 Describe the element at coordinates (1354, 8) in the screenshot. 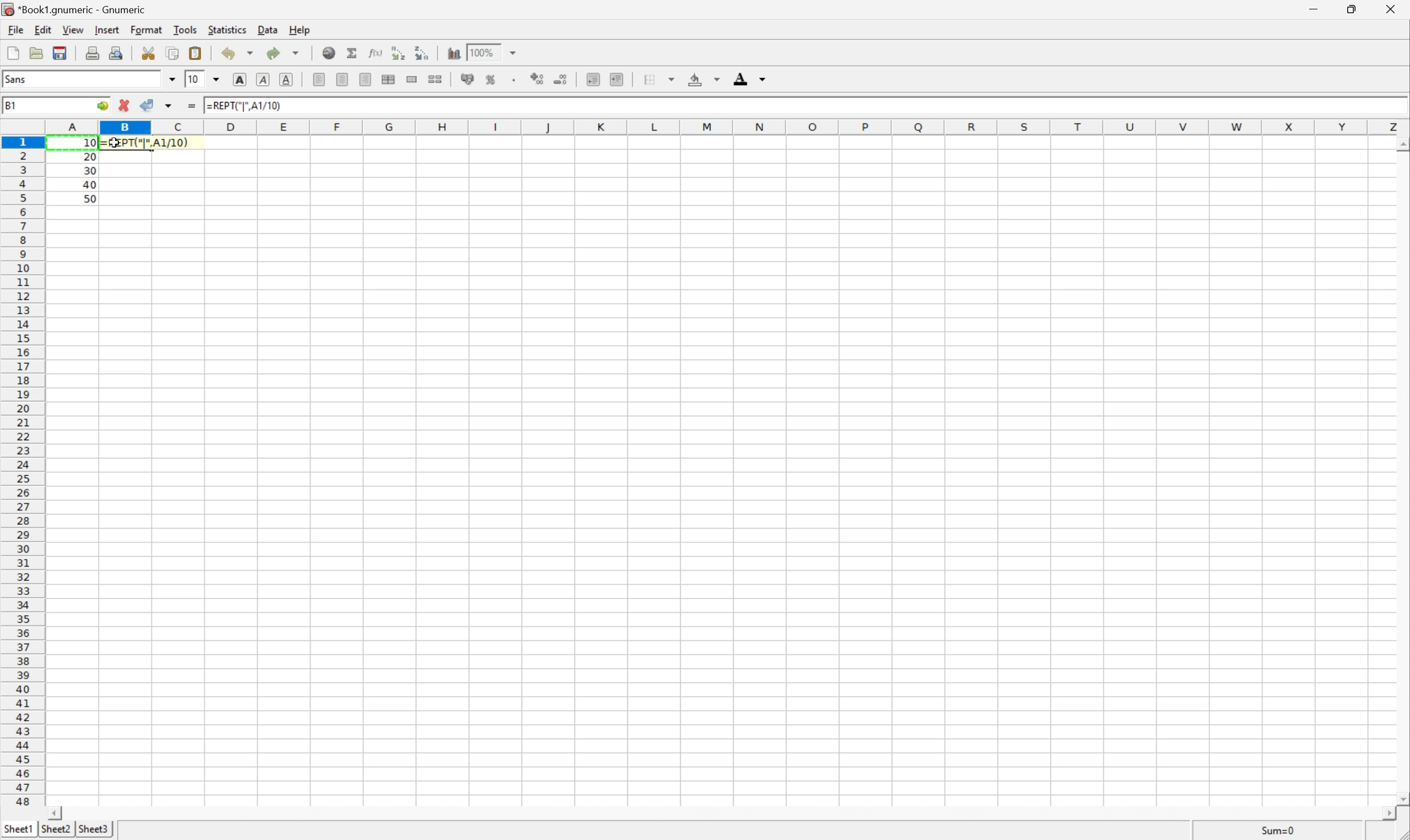

I see `Restore Down` at that location.